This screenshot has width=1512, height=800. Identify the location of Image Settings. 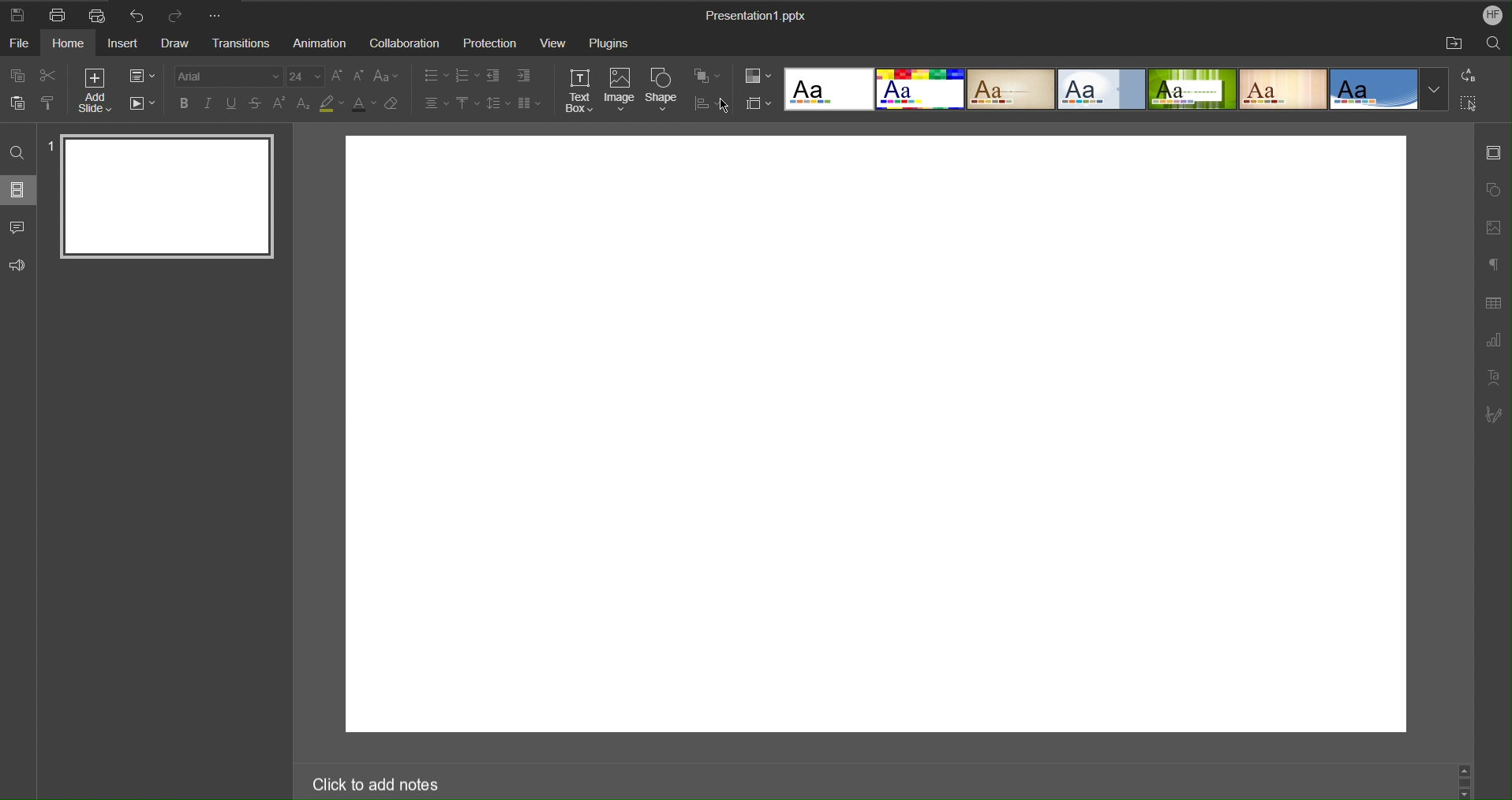
(1493, 230).